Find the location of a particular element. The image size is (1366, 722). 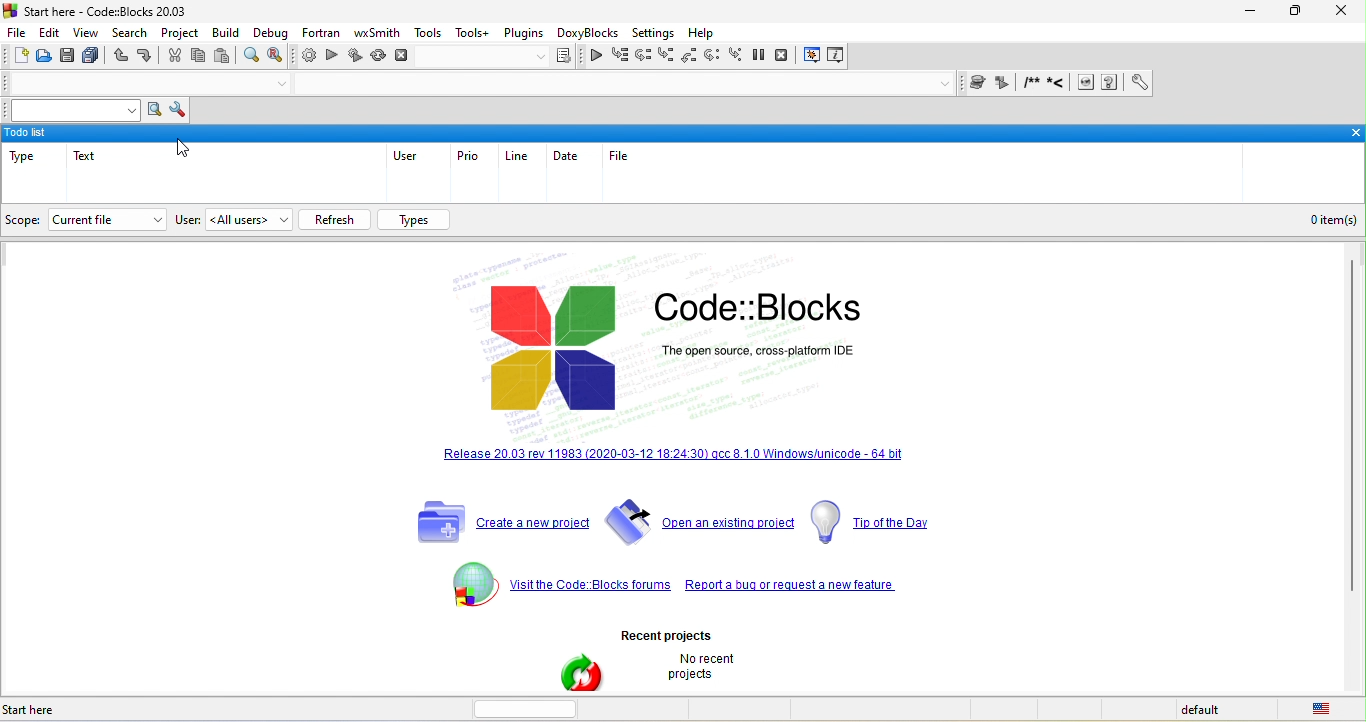

all users  is located at coordinates (248, 220).